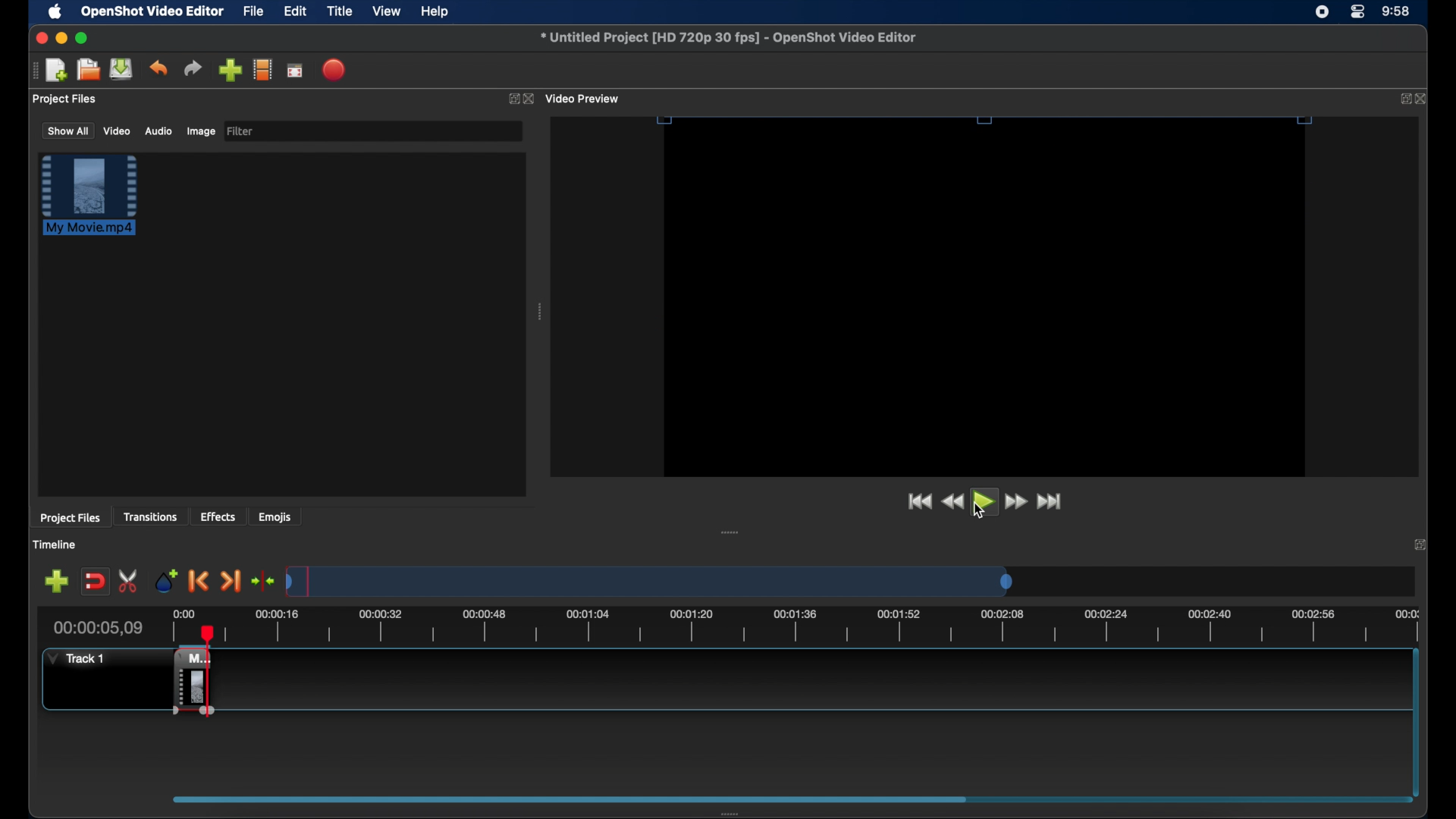 This screenshot has width=1456, height=819. Describe the element at coordinates (56, 582) in the screenshot. I see `add track` at that location.